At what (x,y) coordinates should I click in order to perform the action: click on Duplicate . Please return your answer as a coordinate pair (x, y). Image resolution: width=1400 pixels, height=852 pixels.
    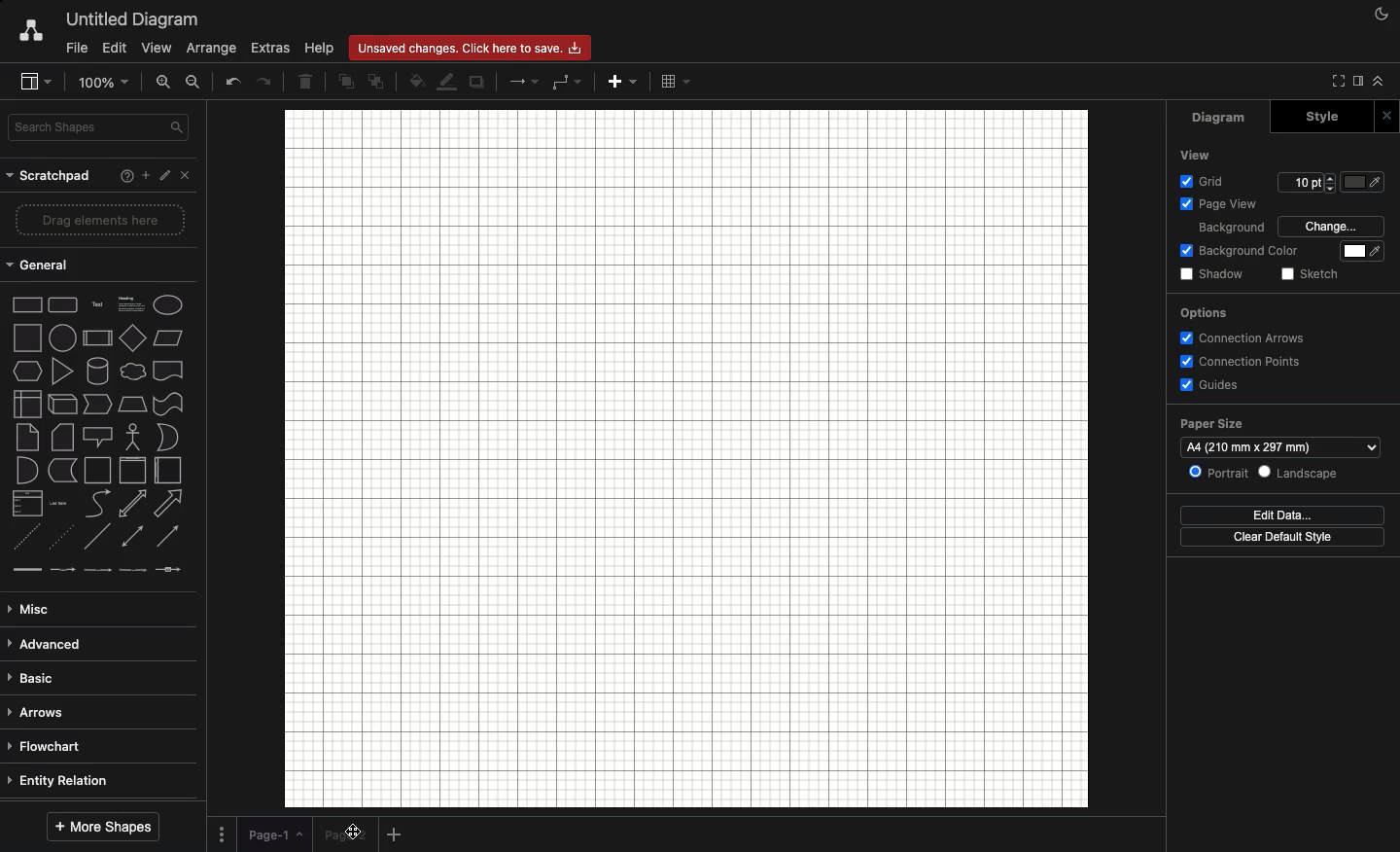
    Looking at the image, I should click on (476, 84).